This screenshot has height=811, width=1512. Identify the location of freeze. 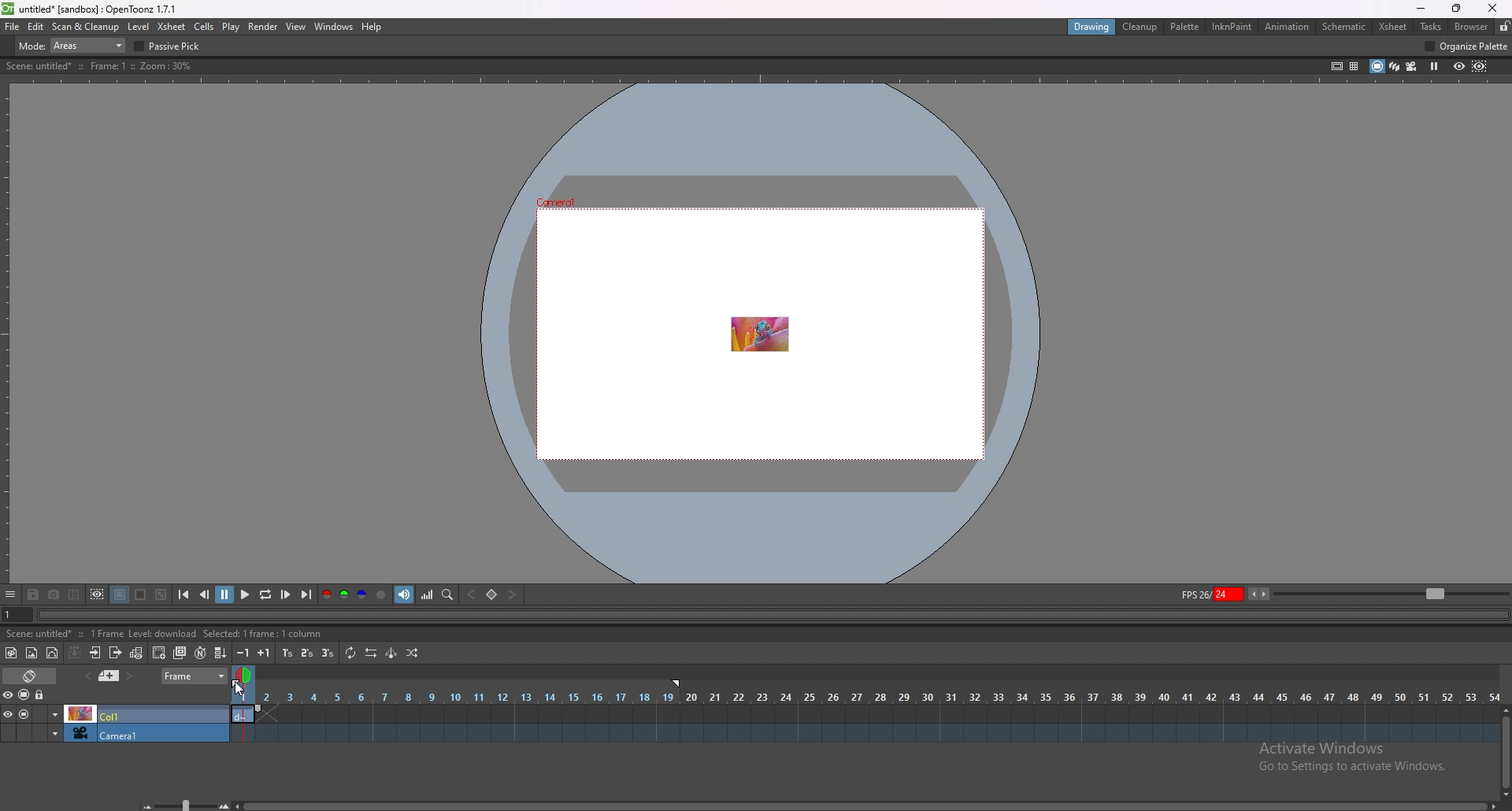
(1435, 67).